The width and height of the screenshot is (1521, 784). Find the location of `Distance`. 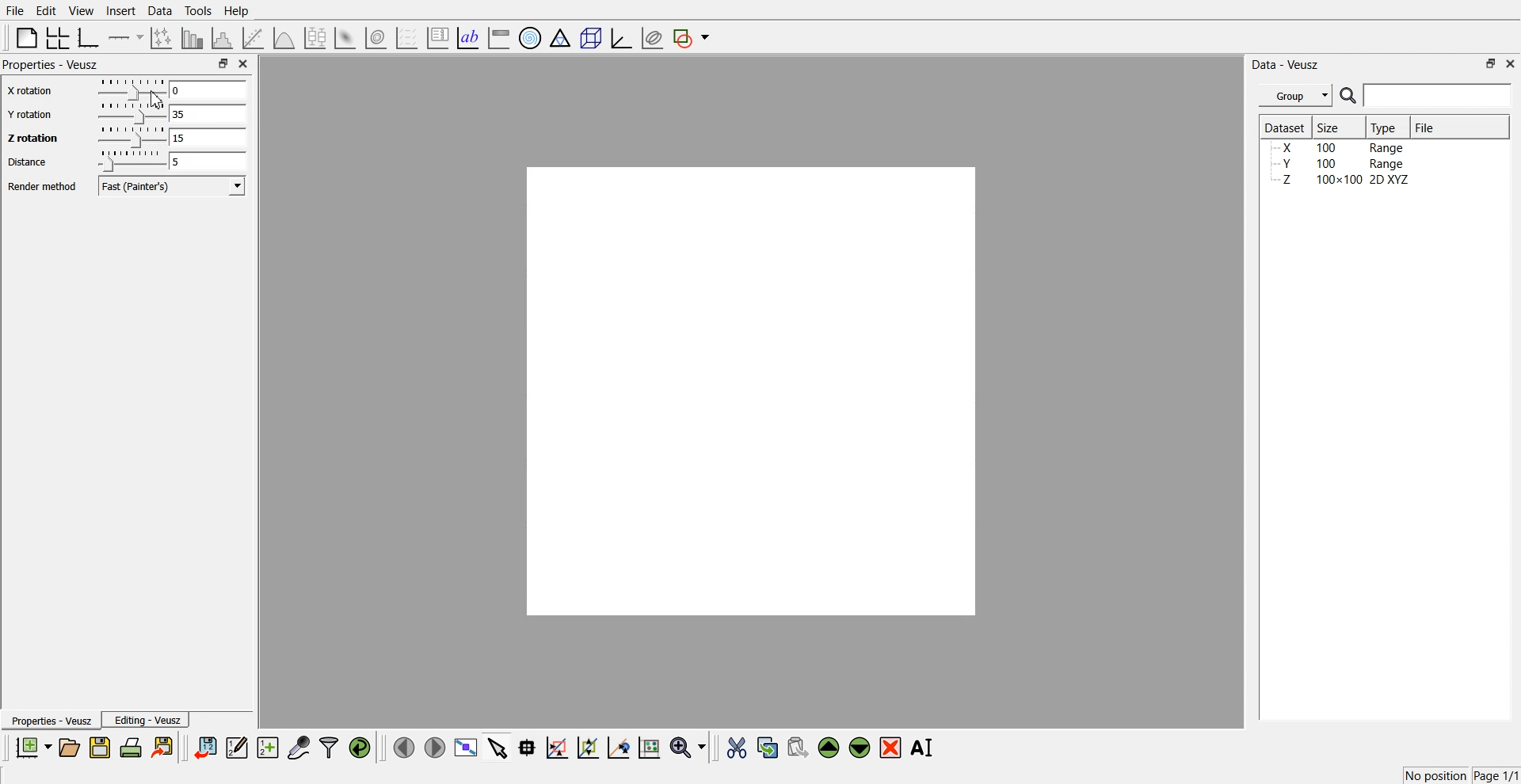

Distance is located at coordinates (27, 162).